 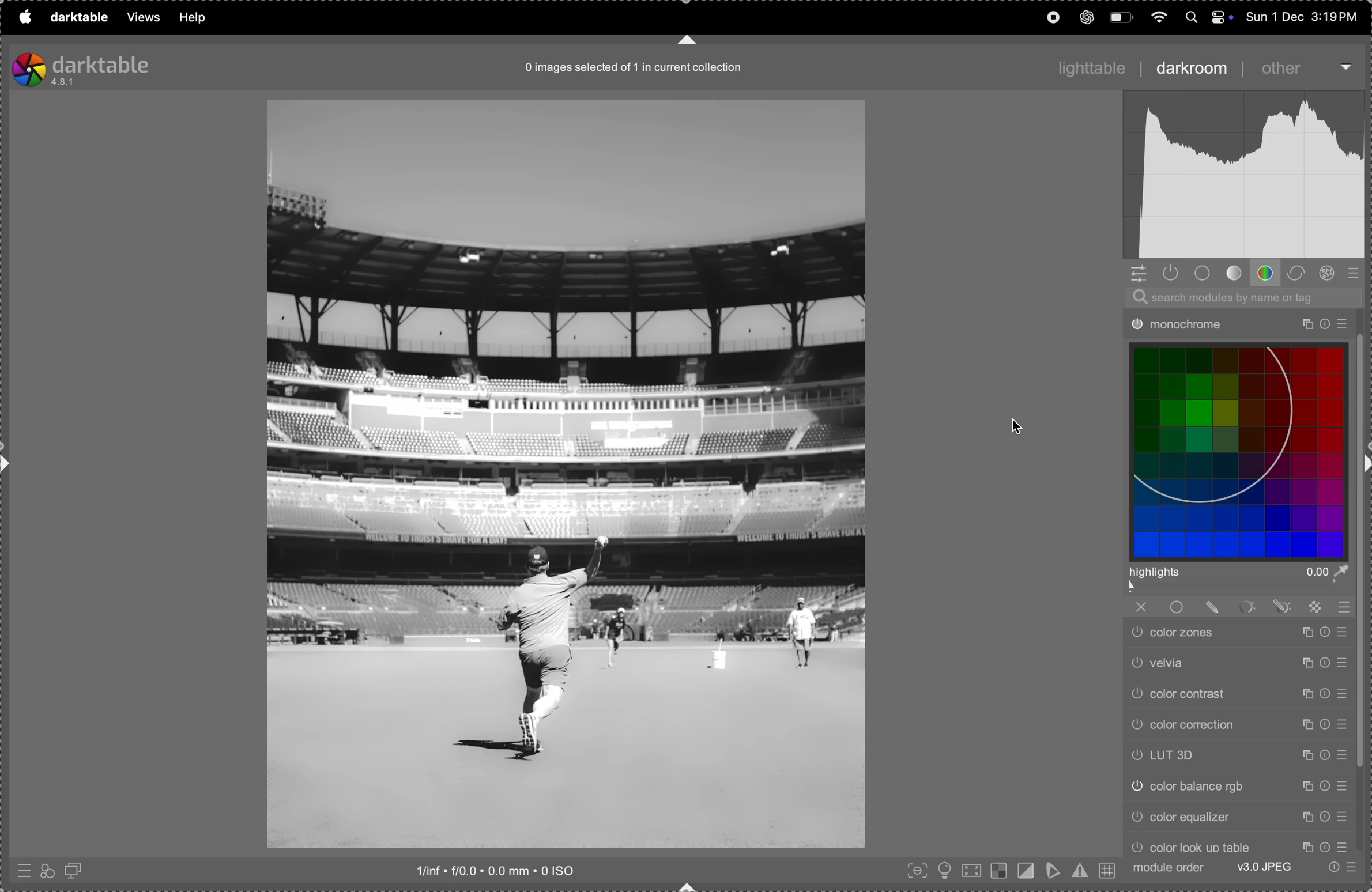 What do you see at coordinates (1242, 819) in the screenshot?
I see `color equalizer` at bounding box center [1242, 819].